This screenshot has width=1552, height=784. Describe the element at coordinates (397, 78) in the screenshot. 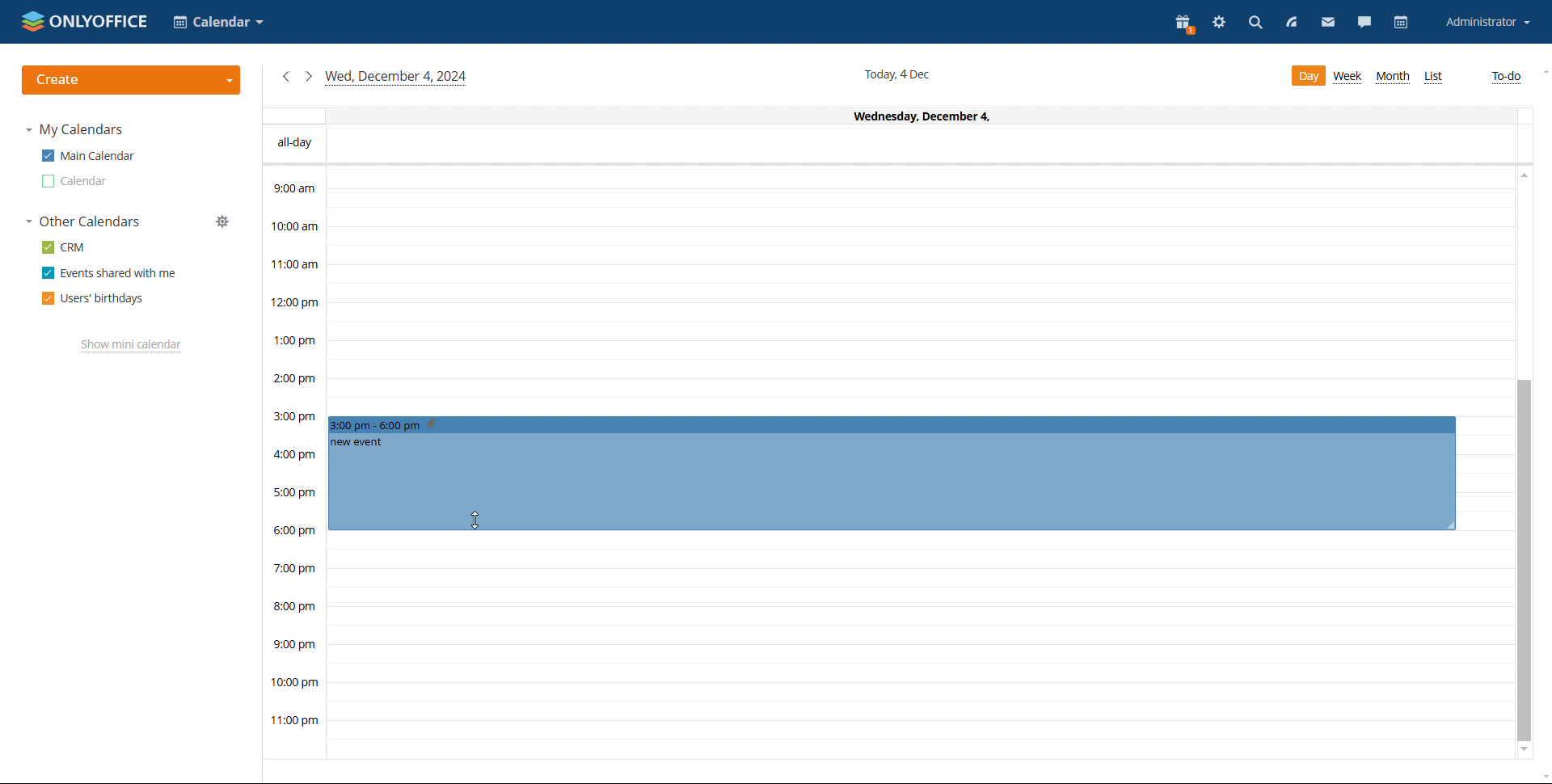

I see `today` at that location.